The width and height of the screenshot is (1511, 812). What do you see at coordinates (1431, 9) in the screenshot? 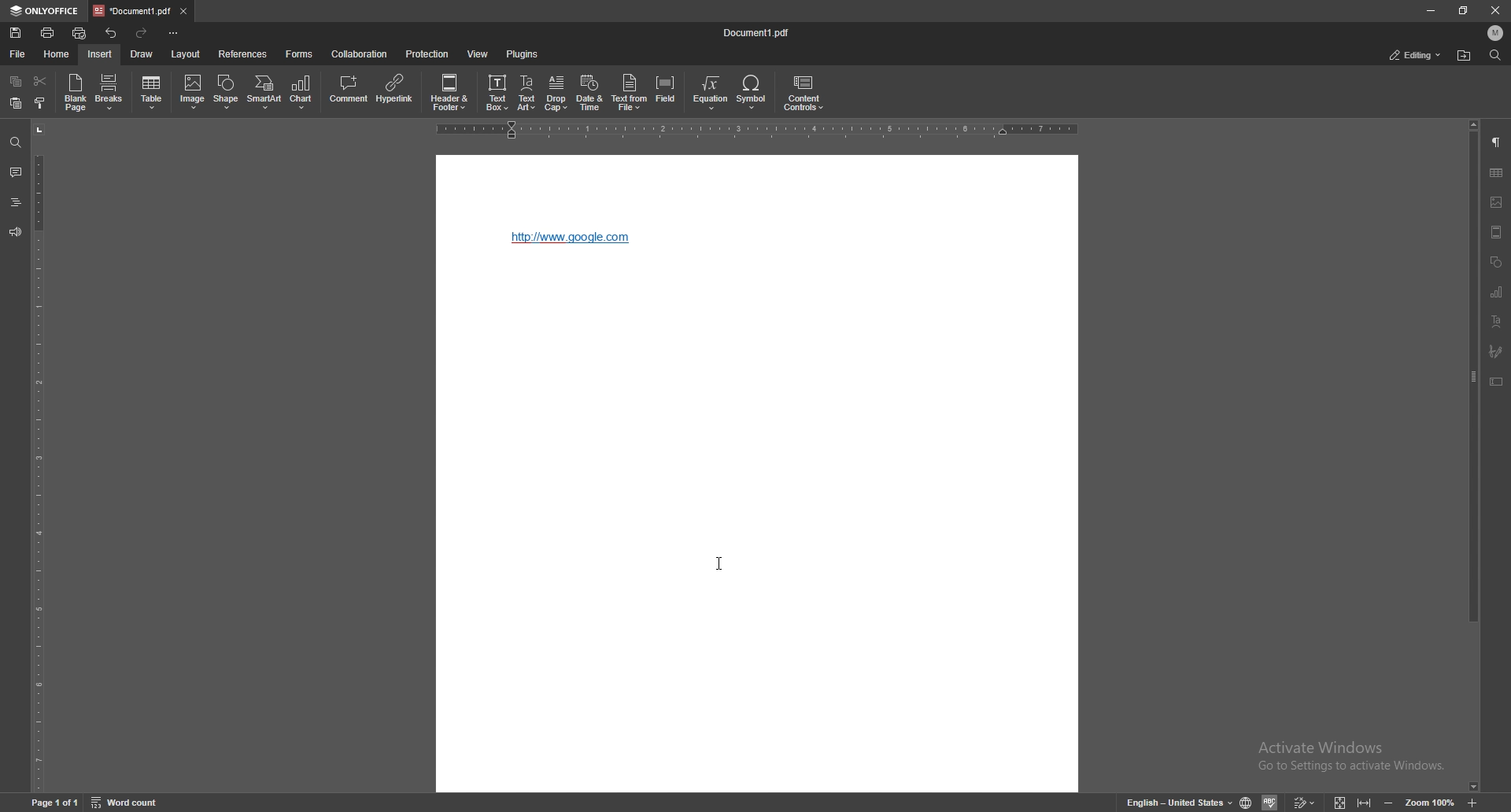
I see `minimize` at bounding box center [1431, 9].